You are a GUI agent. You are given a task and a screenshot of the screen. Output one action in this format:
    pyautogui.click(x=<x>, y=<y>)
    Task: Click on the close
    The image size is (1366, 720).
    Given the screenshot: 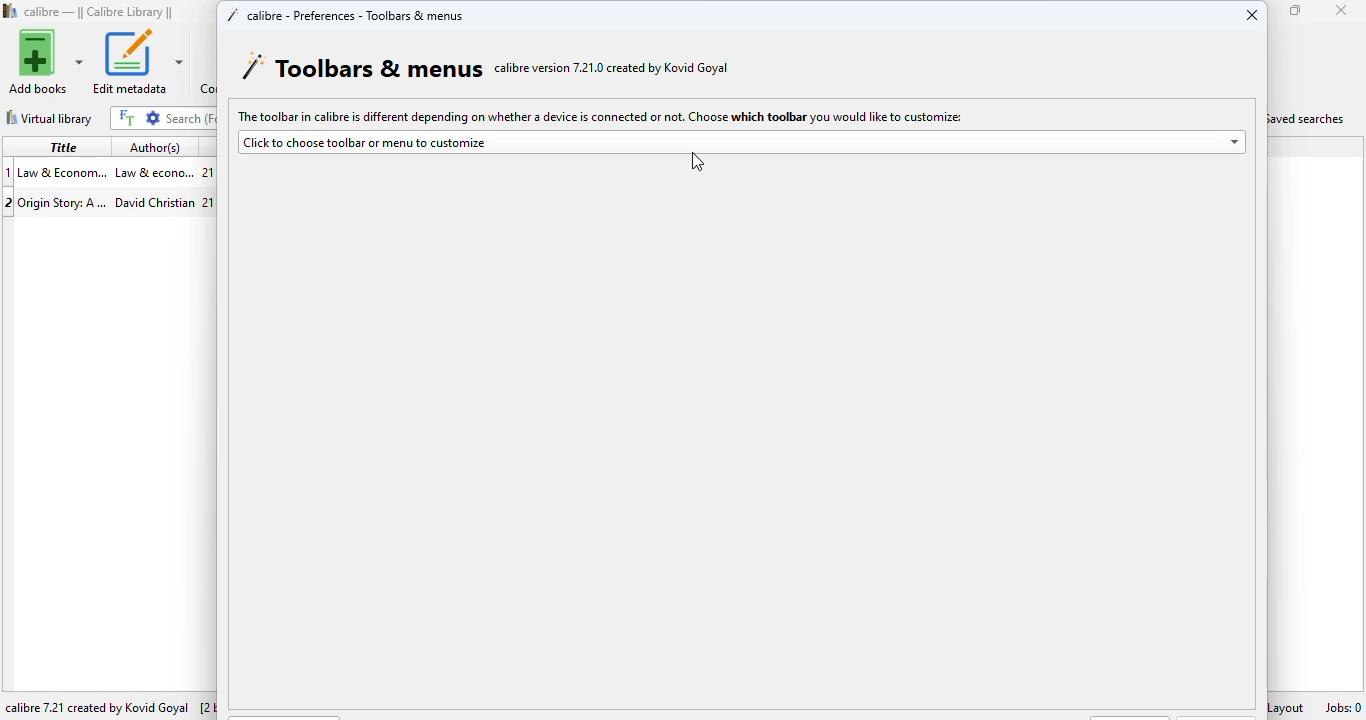 What is the action you would take?
    pyautogui.click(x=1252, y=14)
    